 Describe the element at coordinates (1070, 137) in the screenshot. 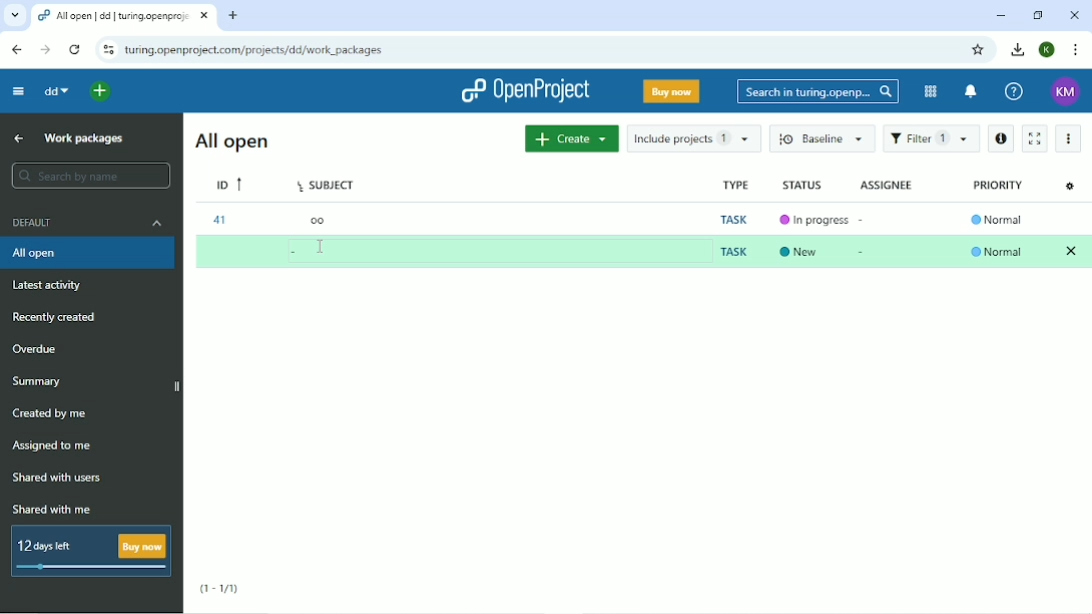

I see `More actions` at that location.